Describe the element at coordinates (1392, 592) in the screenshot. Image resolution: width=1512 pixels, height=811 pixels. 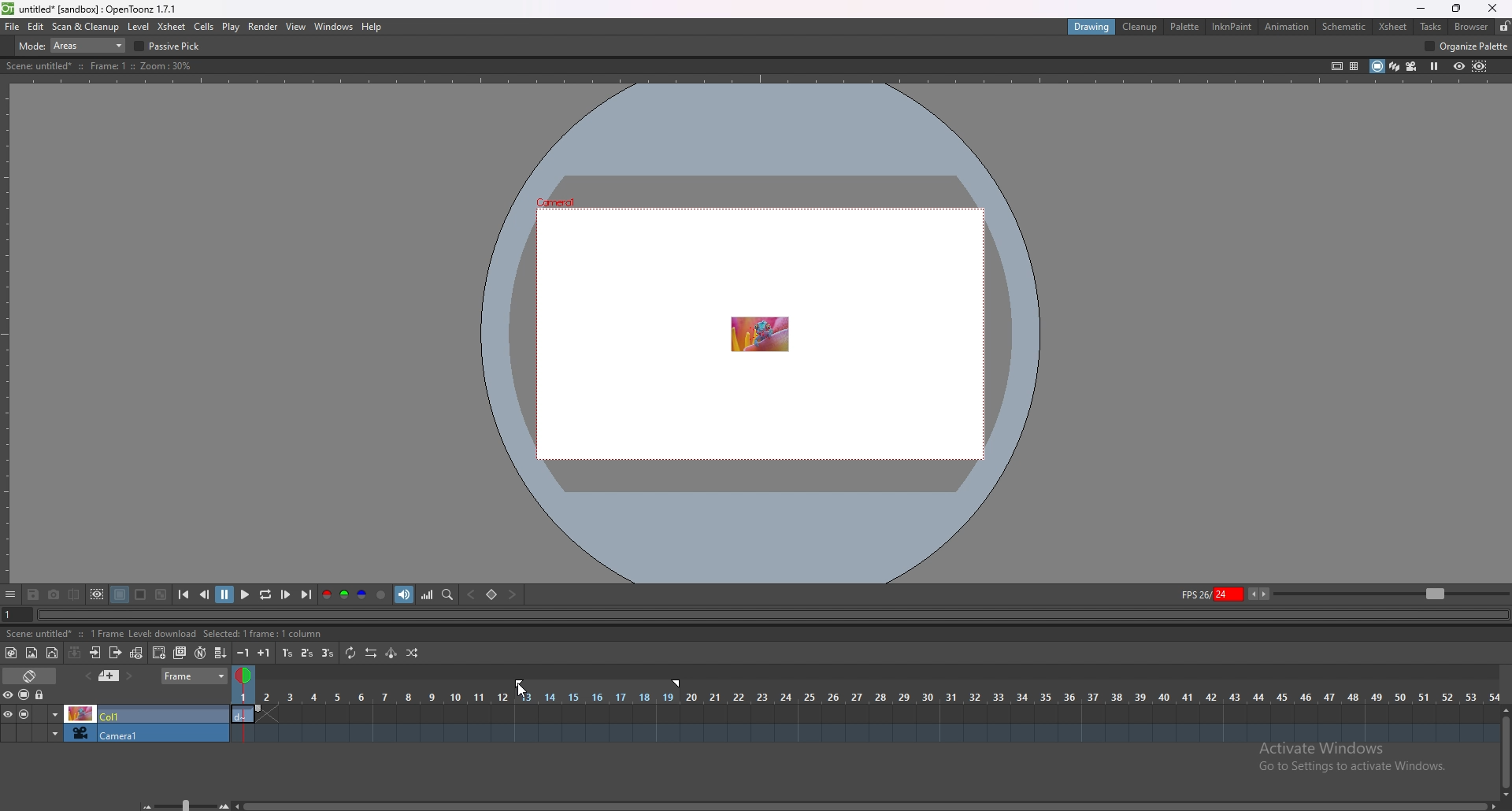
I see `zoom` at that location.